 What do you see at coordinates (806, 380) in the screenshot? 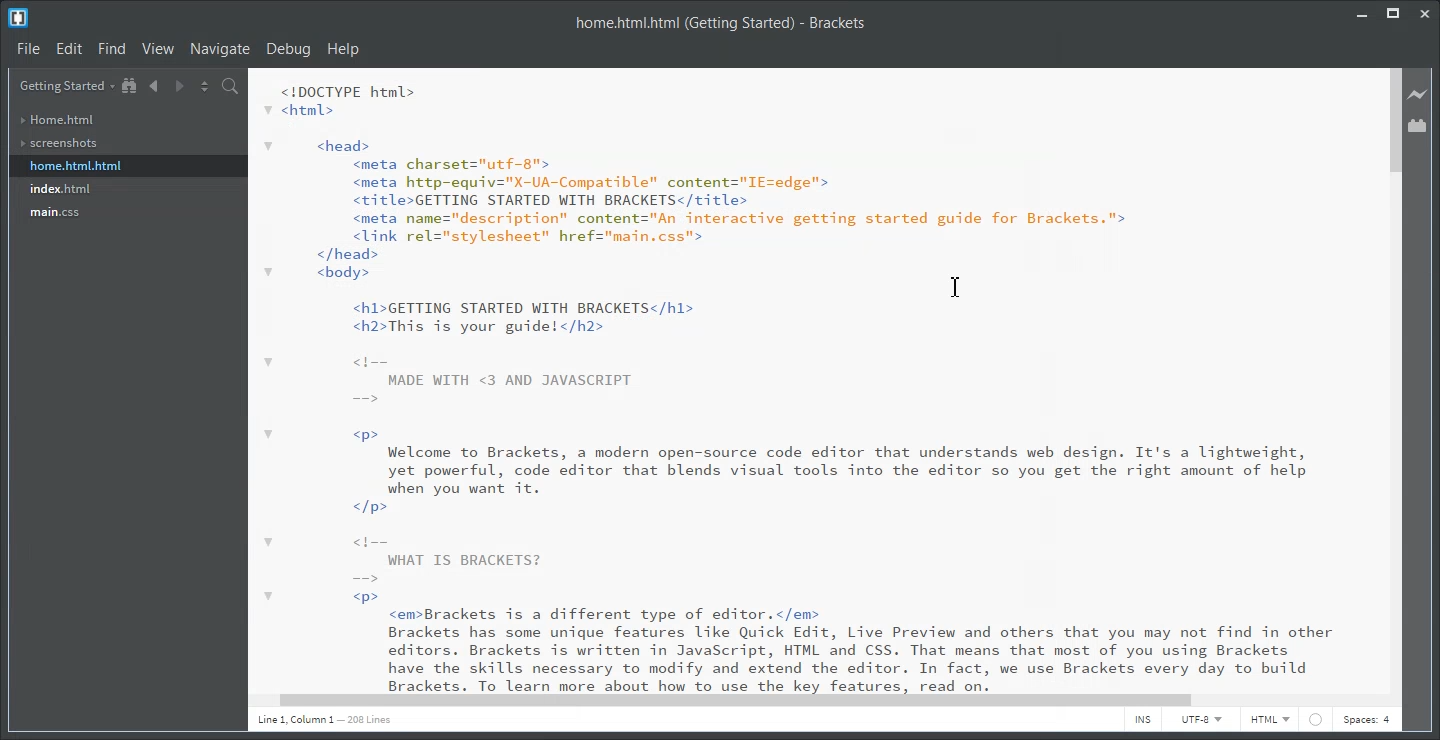
I see `Text 2` at bounding box center [806, 380].